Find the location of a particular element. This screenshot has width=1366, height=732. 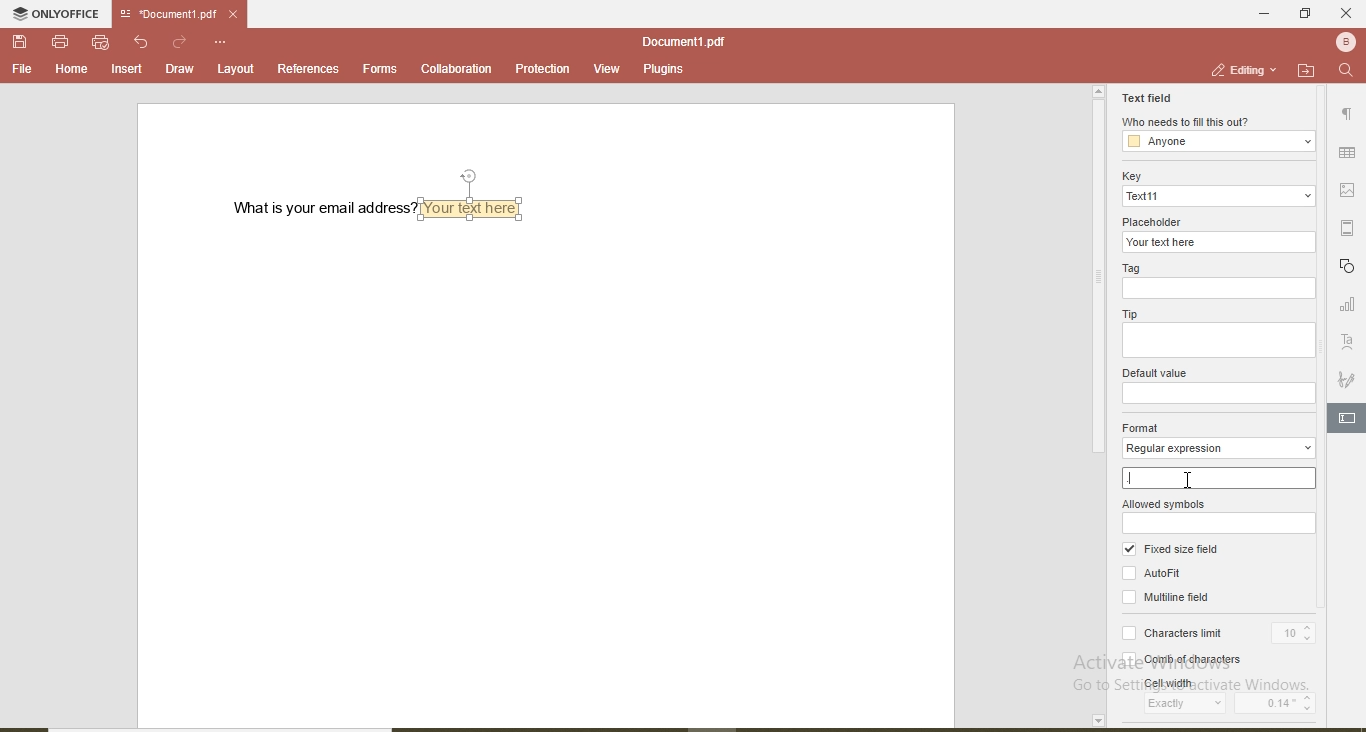

open file location is located at coordinates (1306, 70).